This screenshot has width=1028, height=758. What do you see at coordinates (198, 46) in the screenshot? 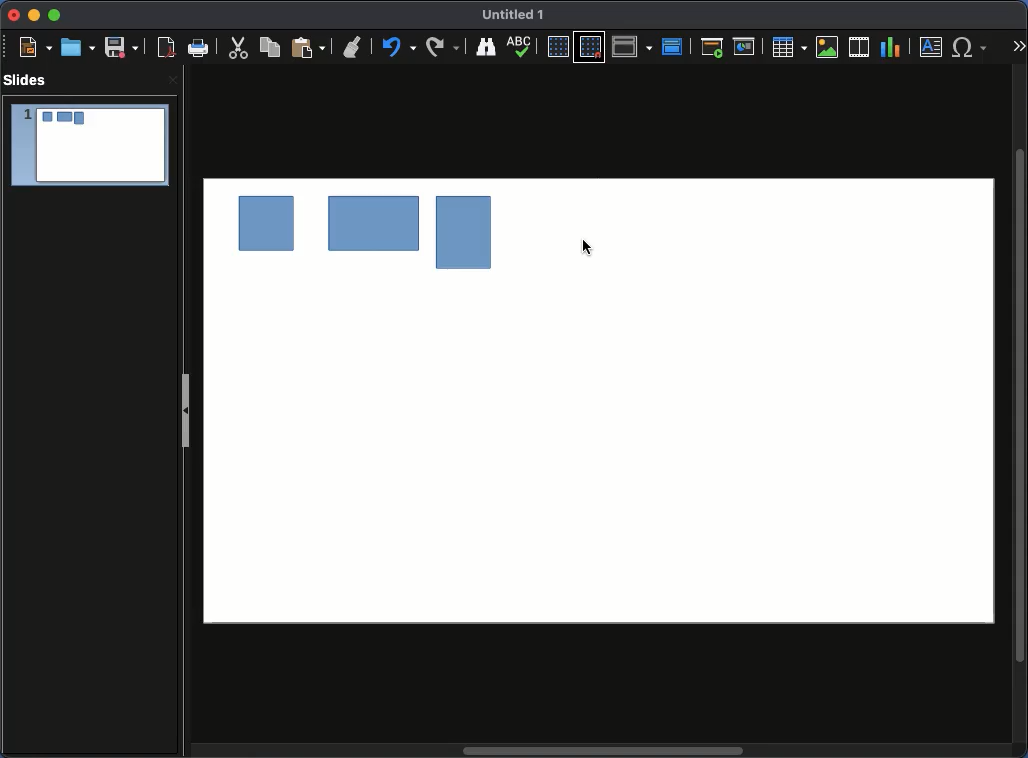
I see `Print` at bounding box center [198, 46].